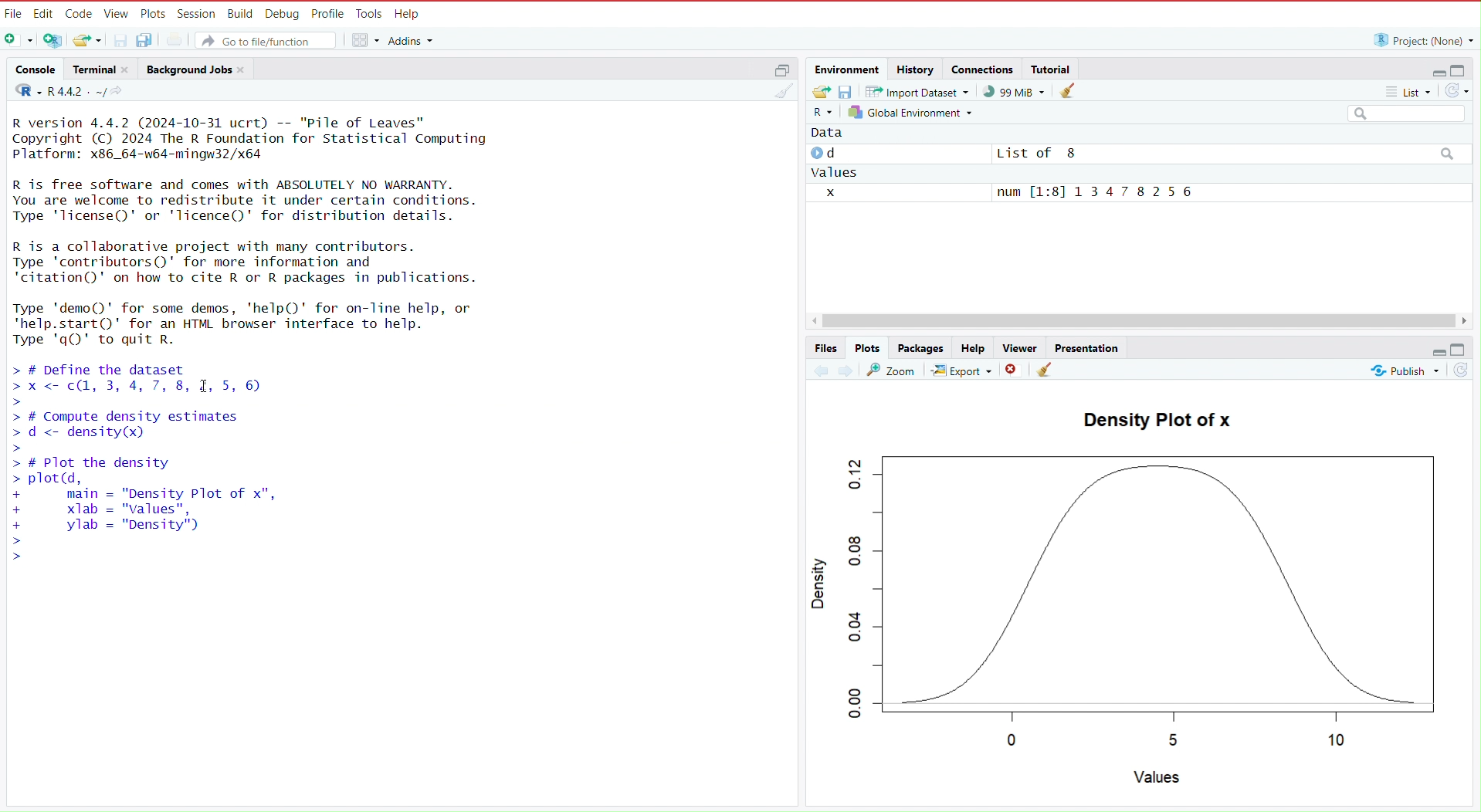 Image resolution: width=1481 pixels, height=812 pixels. What do you see at coordinates (1127, 320) in the screenshot?
I see `scrollbar` at bounding box center [1127, 320].